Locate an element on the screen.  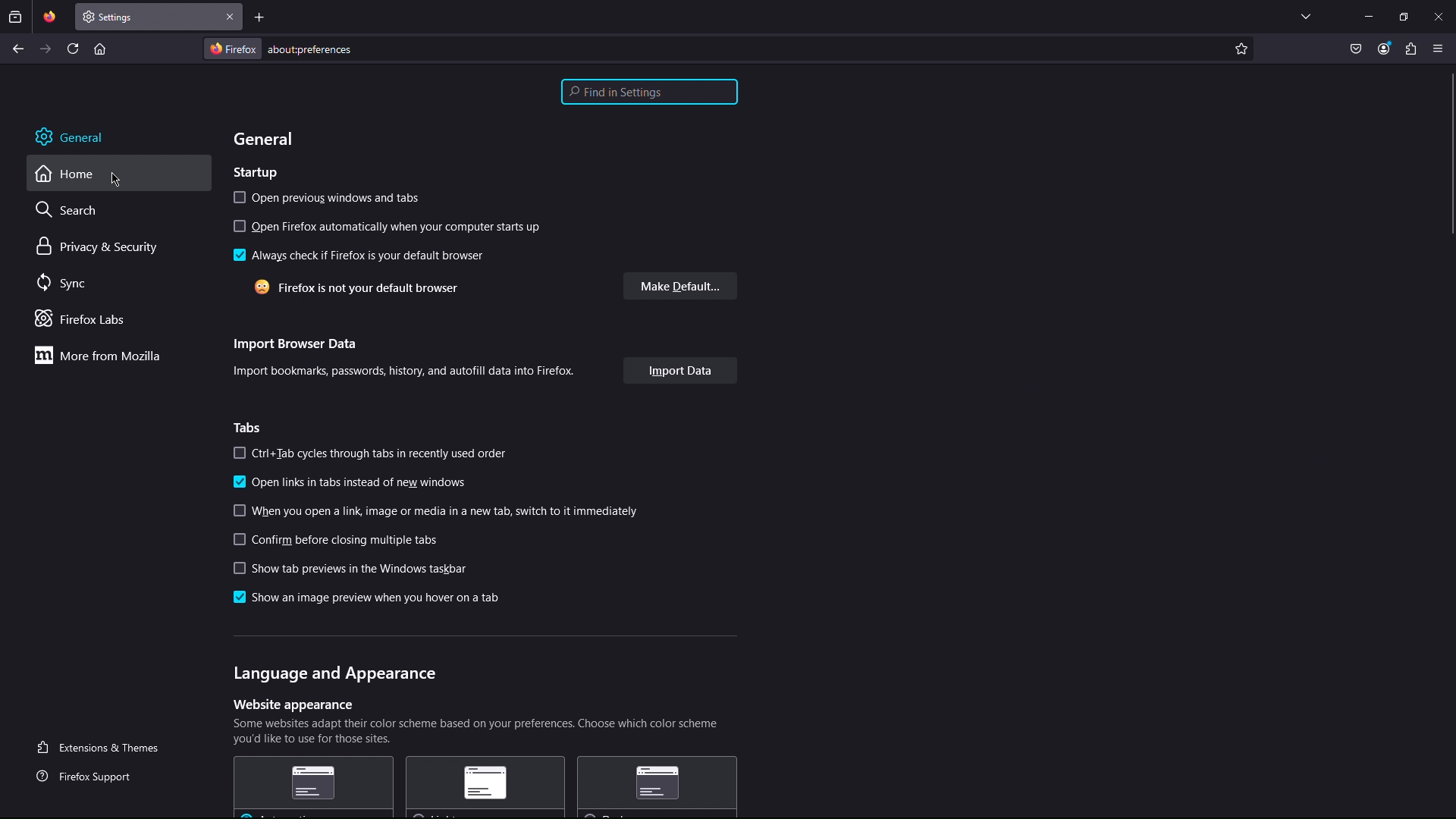
General is located at coordinates (69, 136).